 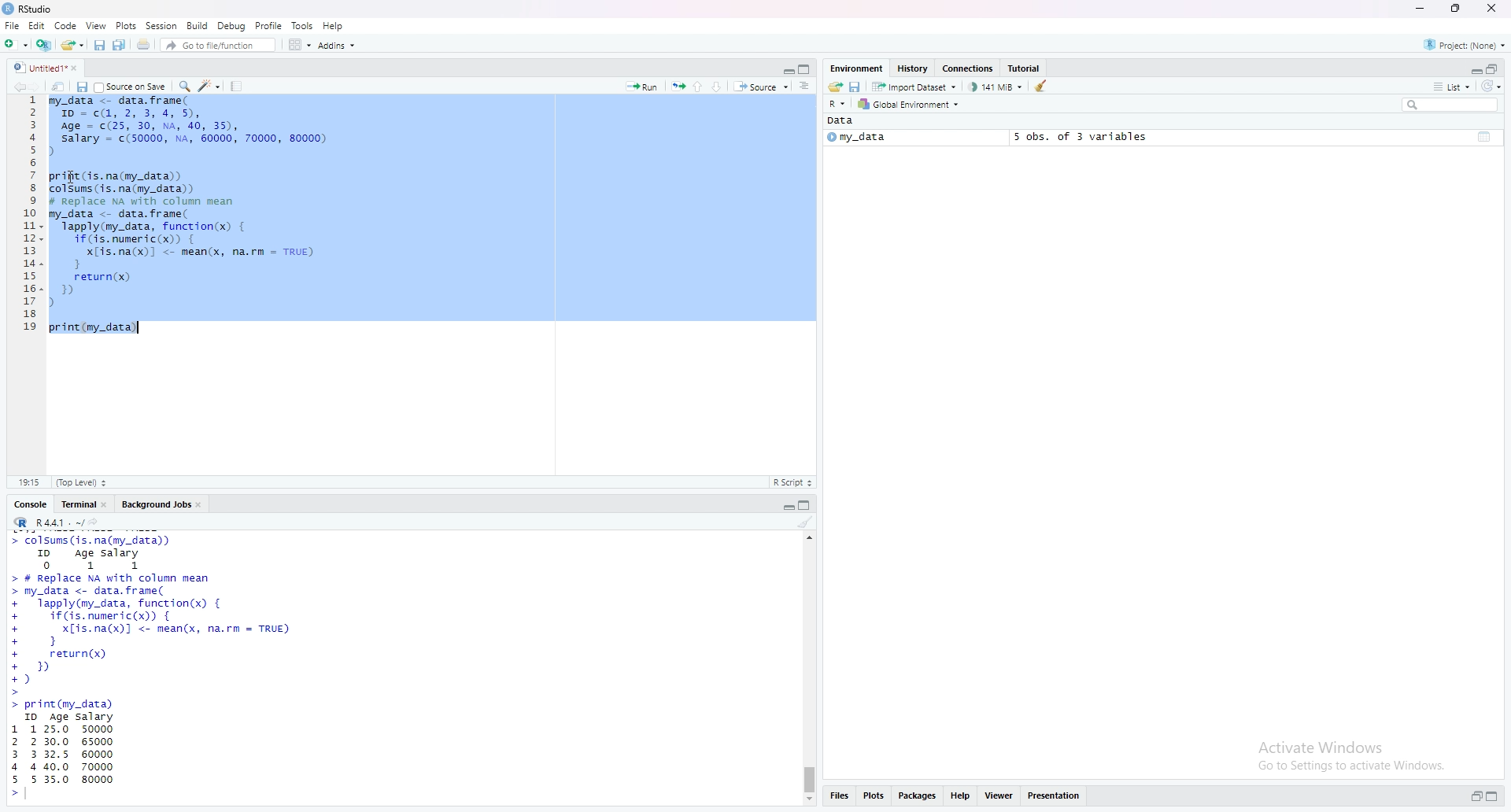 I want to click on show document outline, so click(x=806, y=87).